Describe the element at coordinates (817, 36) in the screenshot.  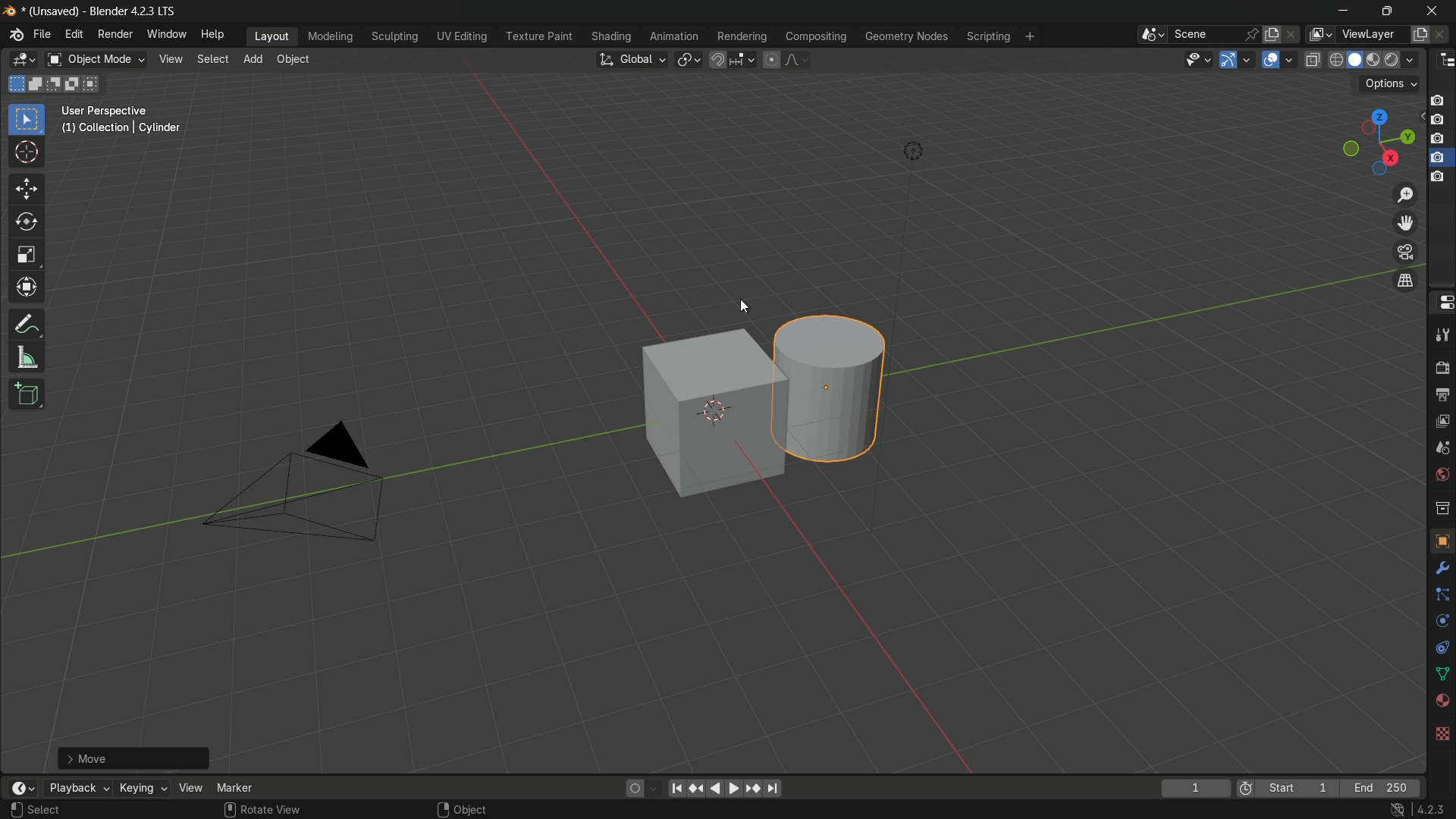
I see `compositing menu` at that location.